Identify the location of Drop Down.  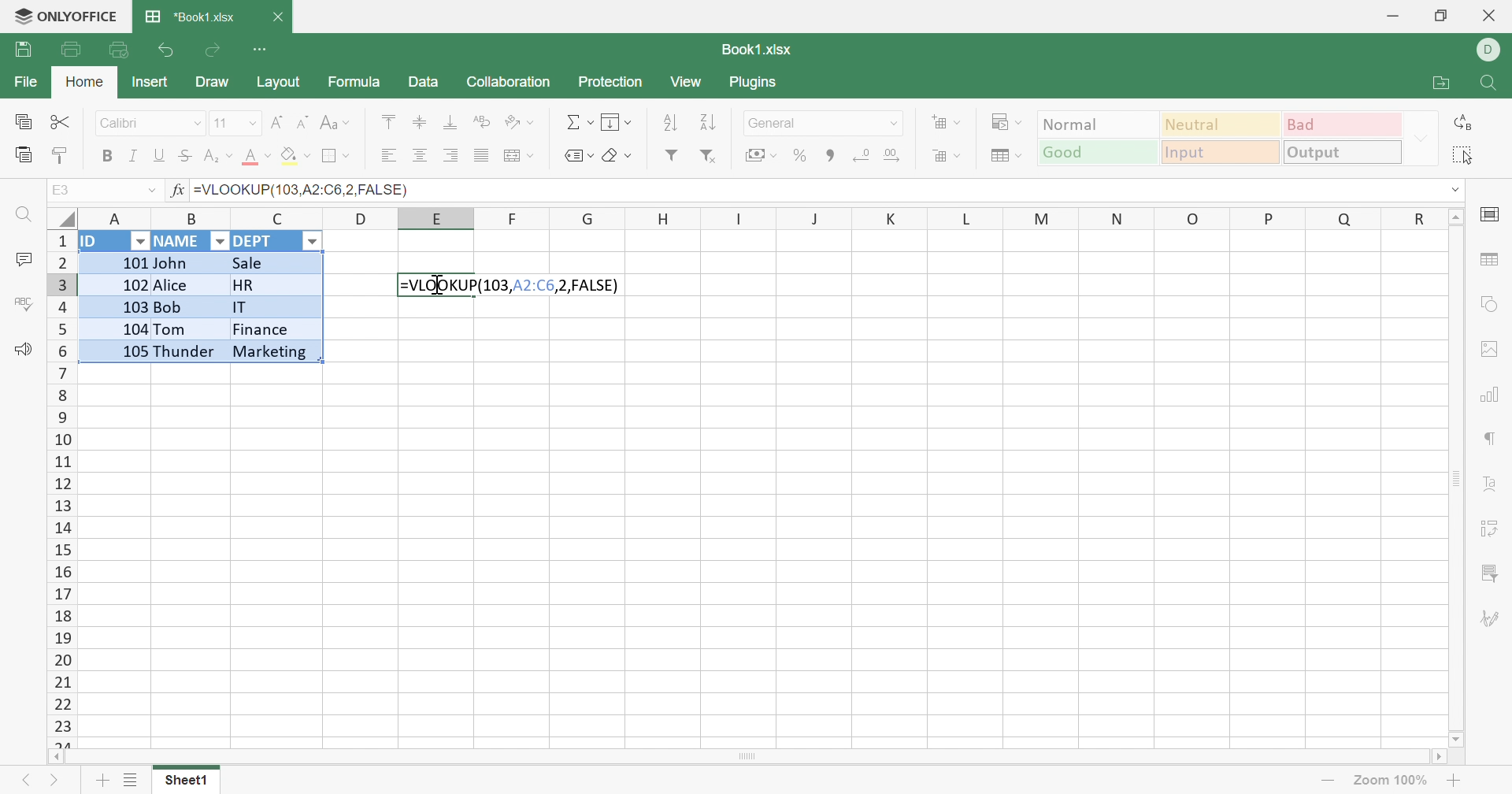
(218, 241).